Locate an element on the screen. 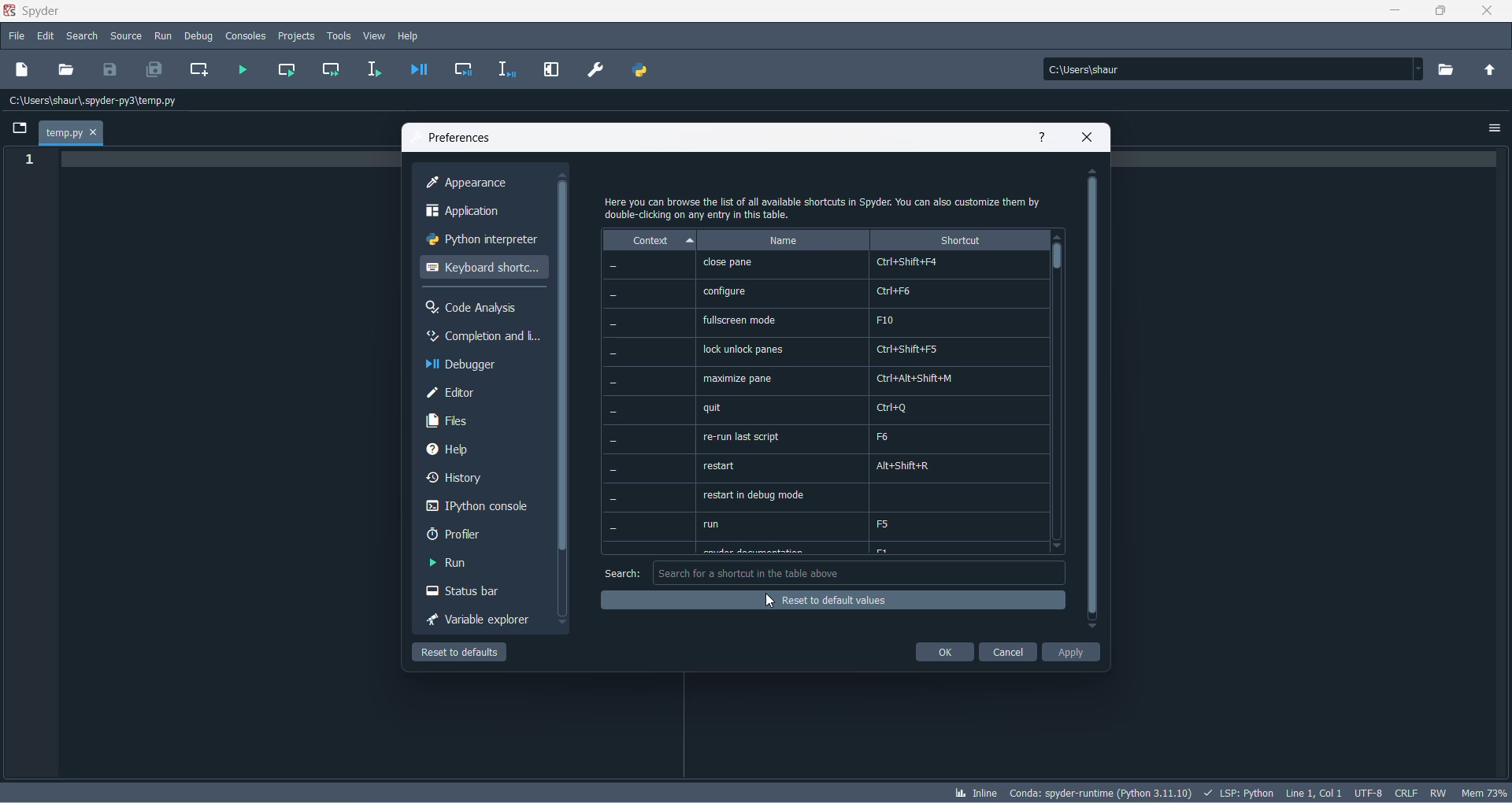  folder is located at coordinates (18, 130).